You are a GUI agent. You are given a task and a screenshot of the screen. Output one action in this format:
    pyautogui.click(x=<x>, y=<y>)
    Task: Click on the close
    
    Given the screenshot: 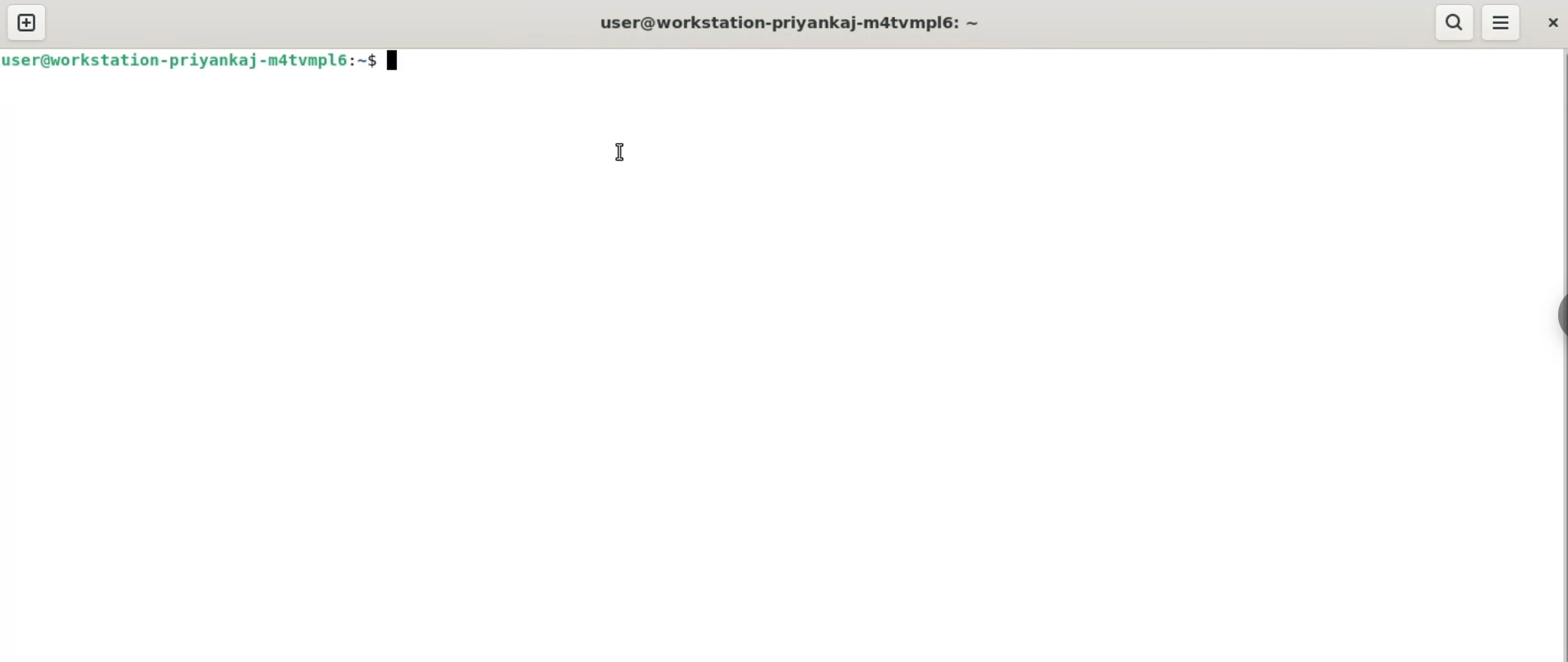 What is the action you would take?
    pyautogui.click(x=1555, y=25)
    